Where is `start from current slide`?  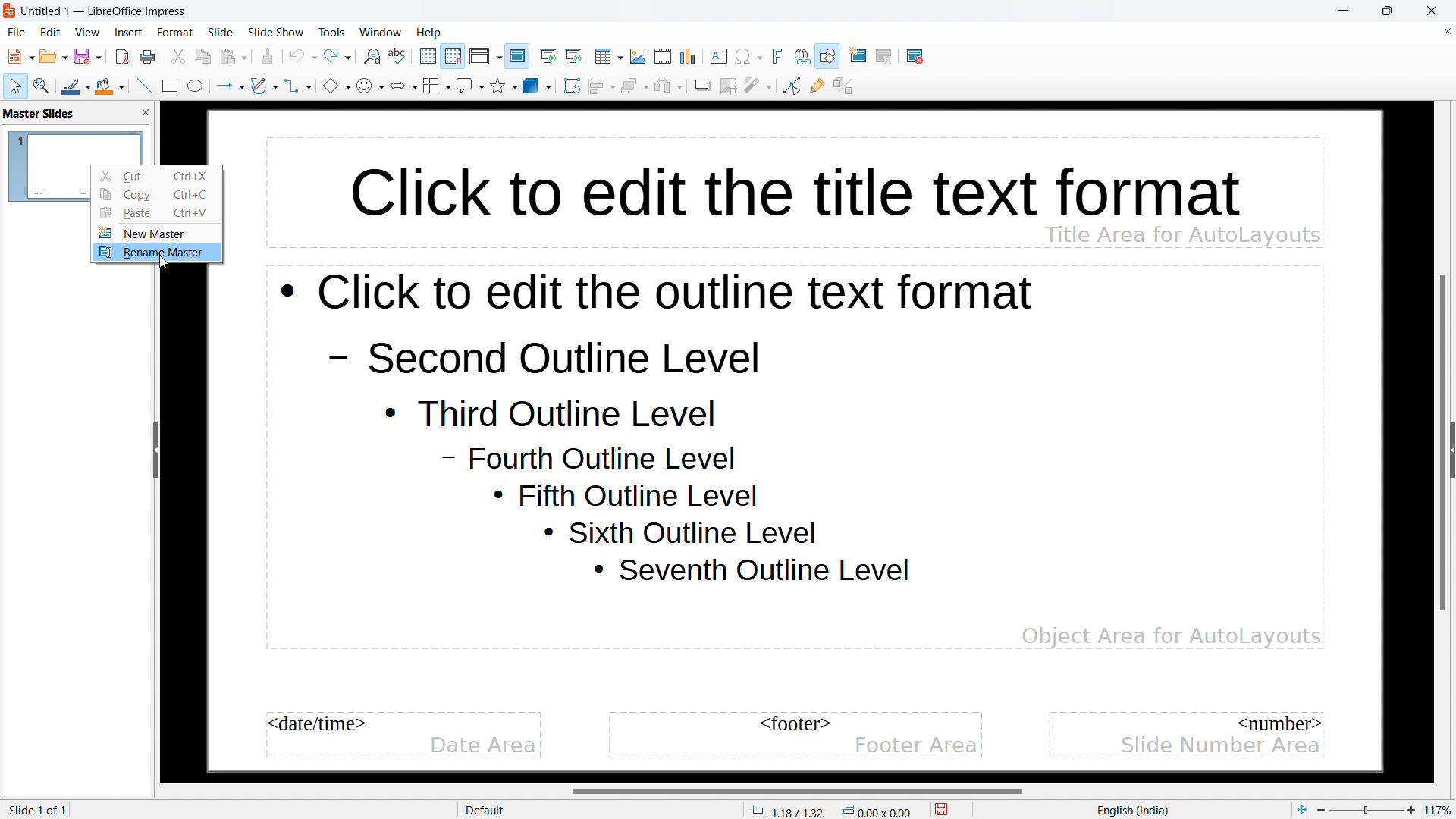
start from current slide is located at coordinates (574, 56).